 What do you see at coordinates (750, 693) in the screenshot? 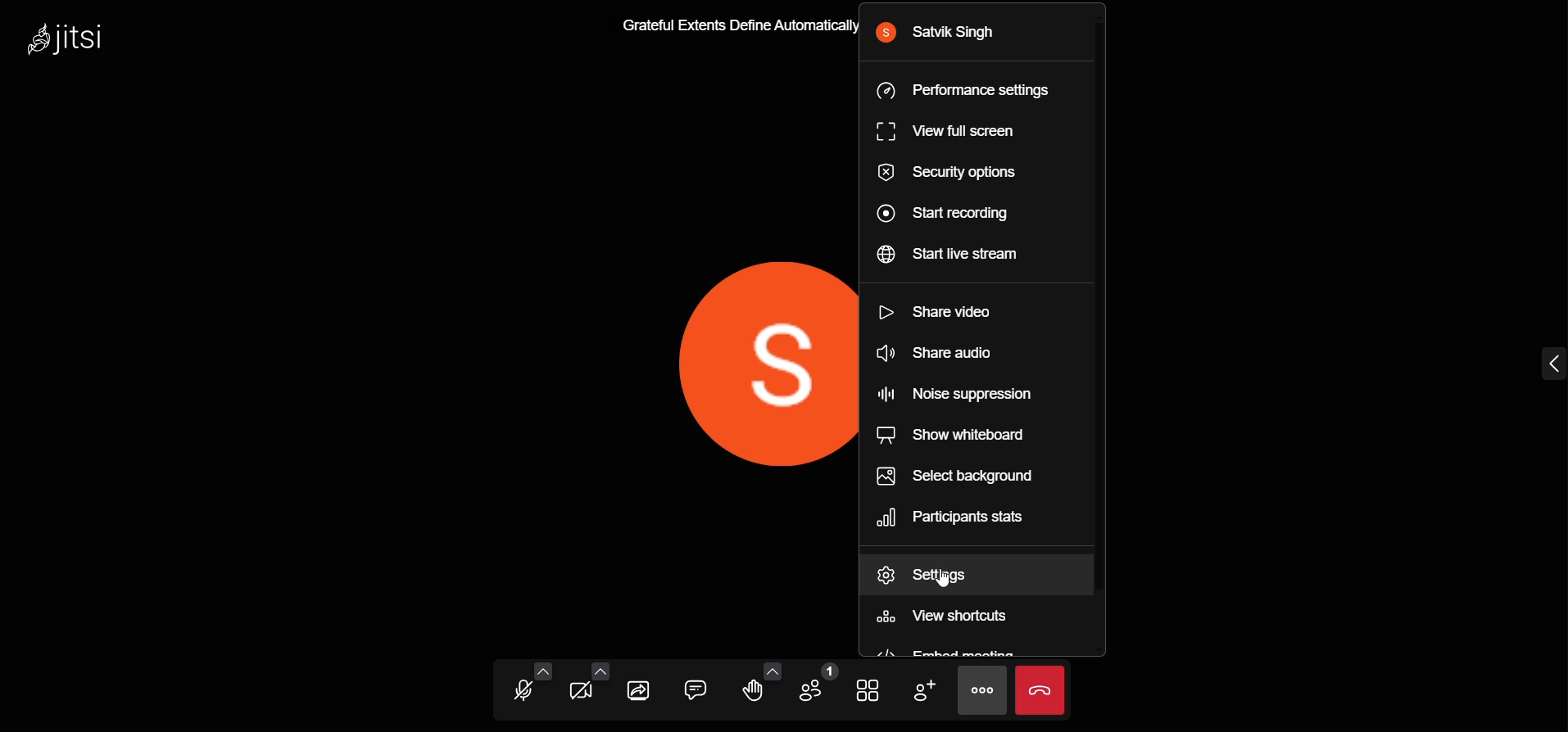
I see `raise hand` at bounding box center [750, 693].